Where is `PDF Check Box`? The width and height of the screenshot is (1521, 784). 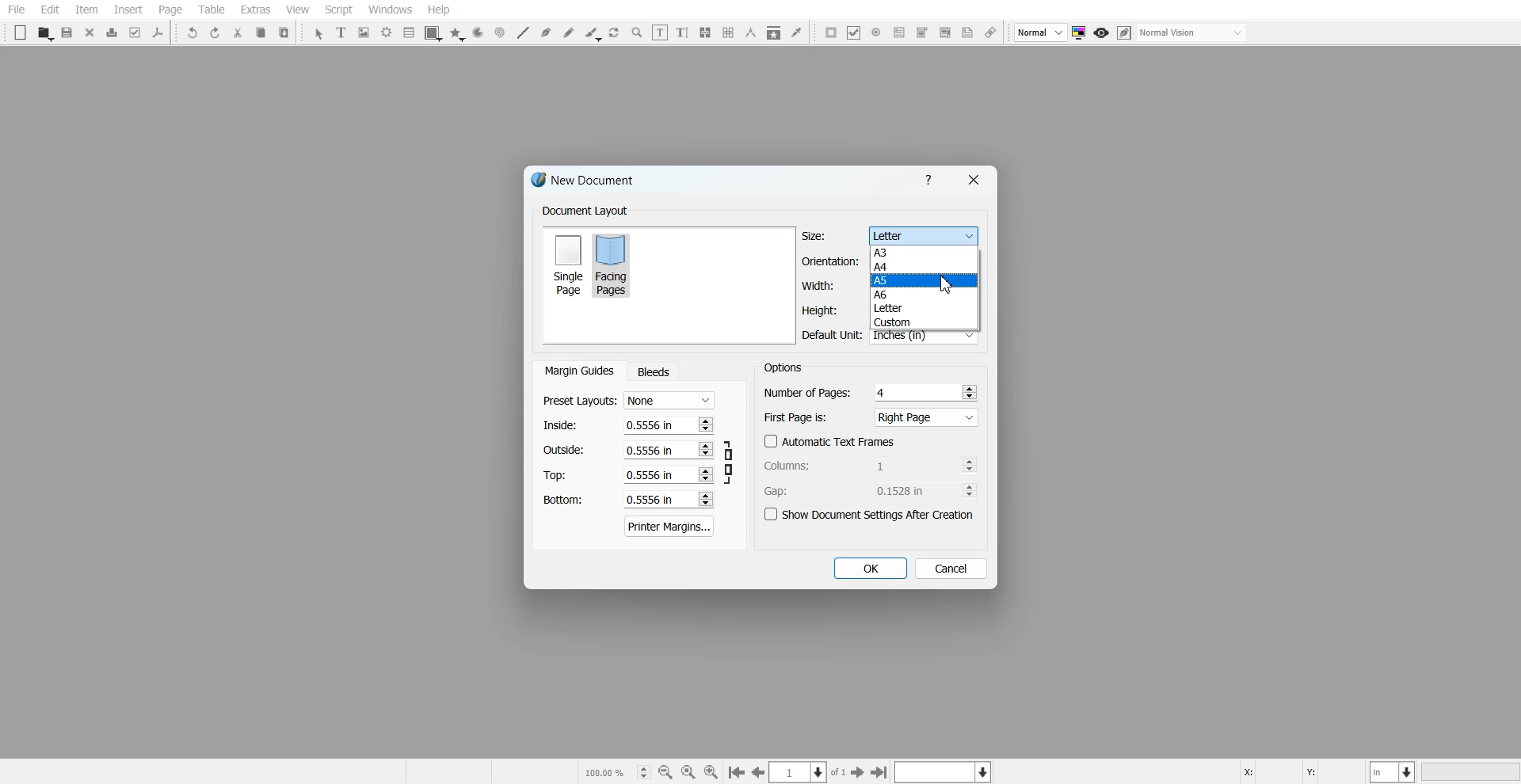
PDF Check Box is located at coordinates (854, 32).